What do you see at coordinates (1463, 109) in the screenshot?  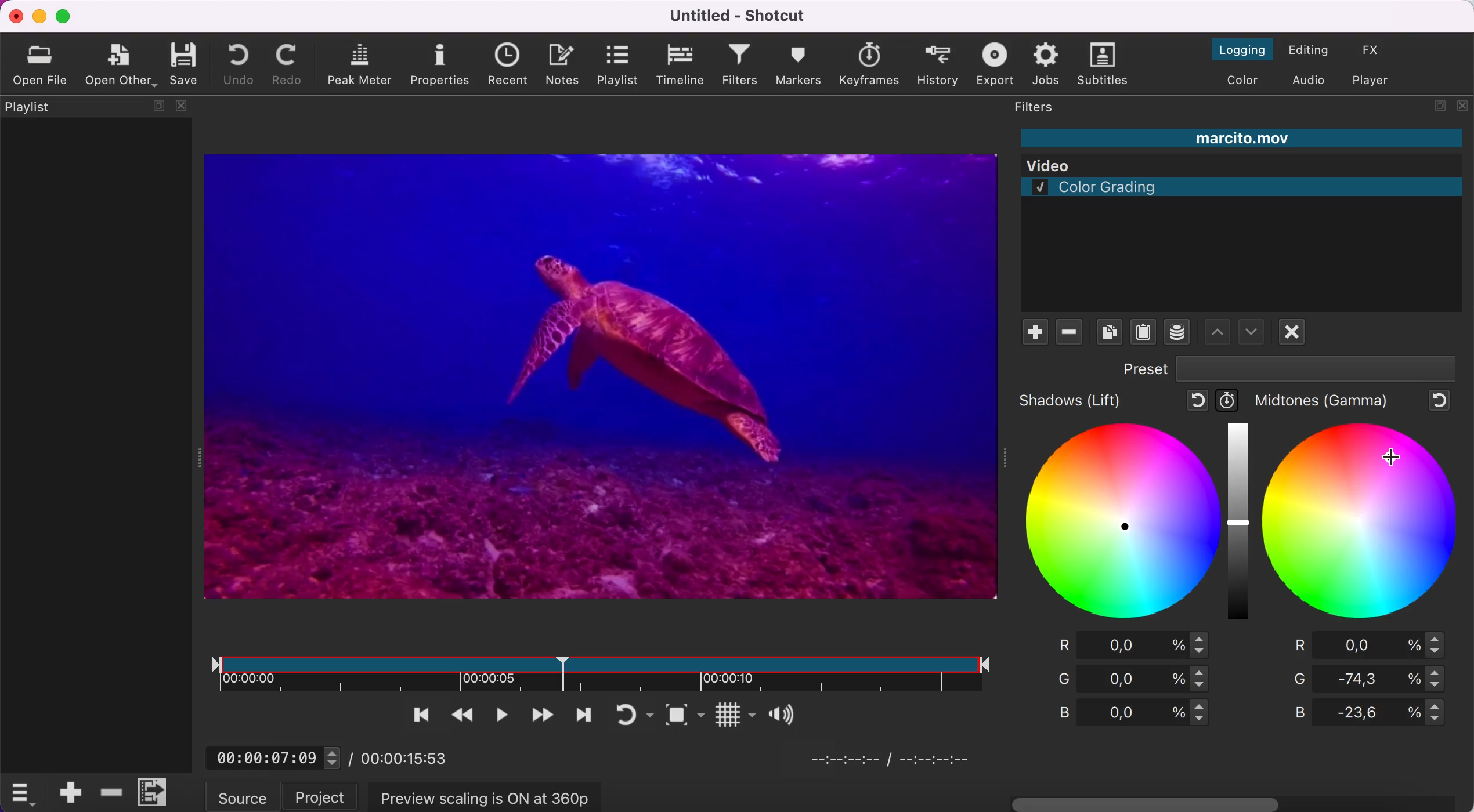 I see `close` at bounding box center [1463, 109].